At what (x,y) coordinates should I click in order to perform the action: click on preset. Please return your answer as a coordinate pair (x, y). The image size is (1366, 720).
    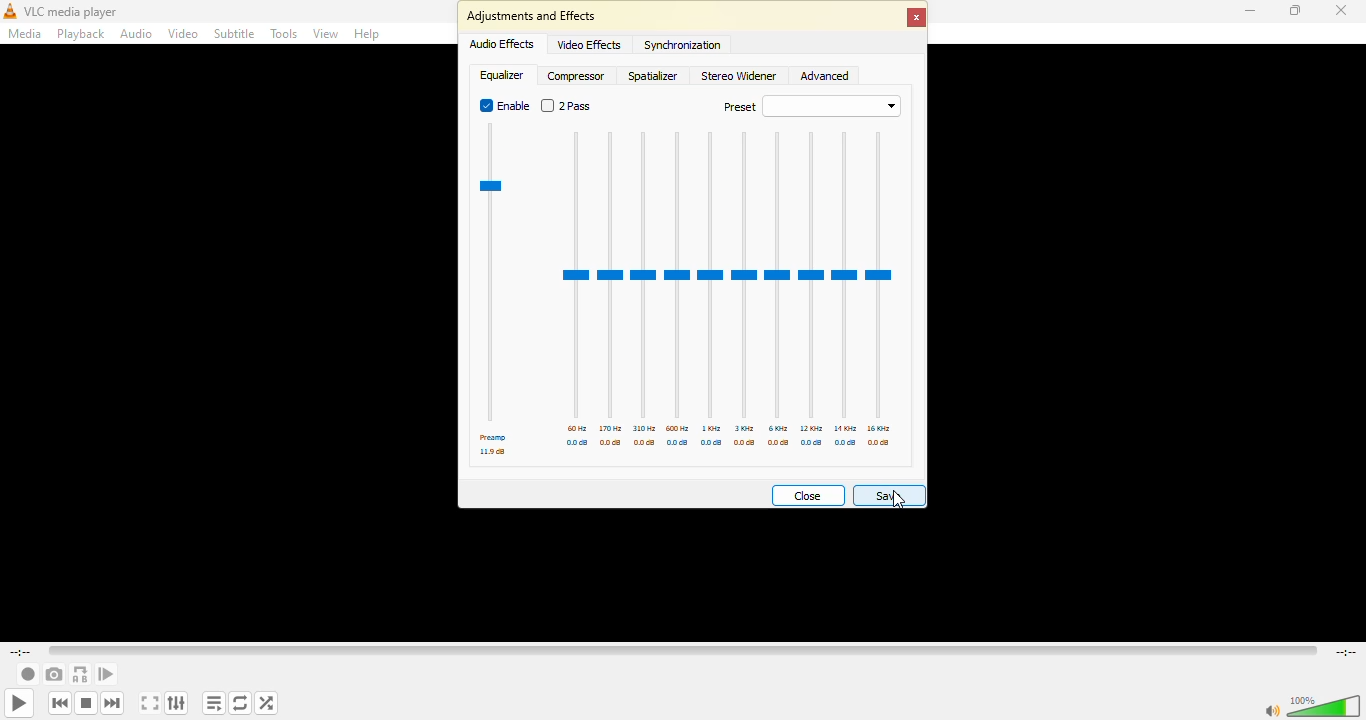
    Looking at the image, I should click on (741, 108).